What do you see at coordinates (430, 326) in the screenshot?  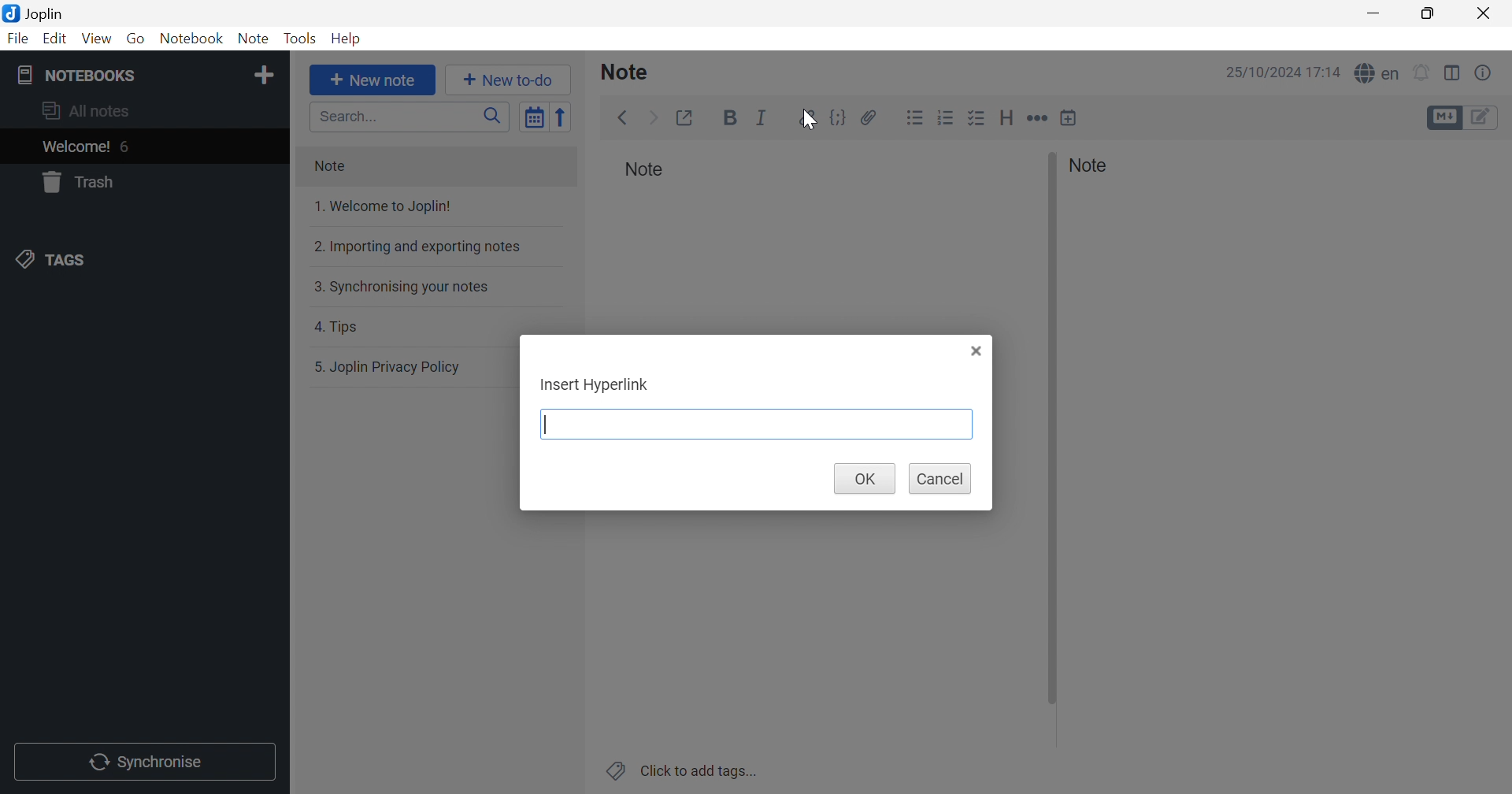 I see `4. Tips` at bounding box center [430, 326].